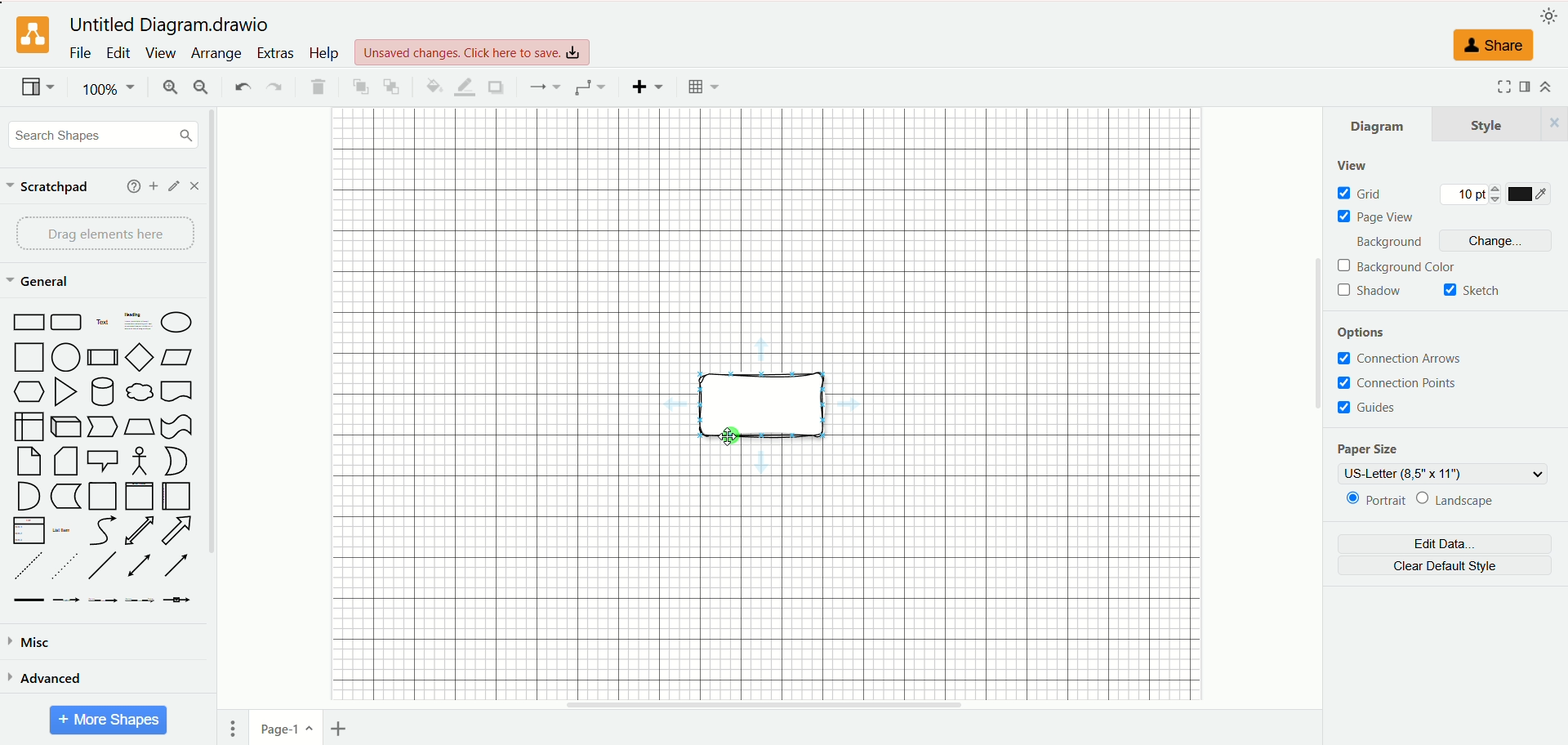 Image resolution: width=1568 pixels, height=745 pixels. What do you see at coordinates (1448, 539) in the screenshot?
I see `edit data` at bounding box center [1448, 539].